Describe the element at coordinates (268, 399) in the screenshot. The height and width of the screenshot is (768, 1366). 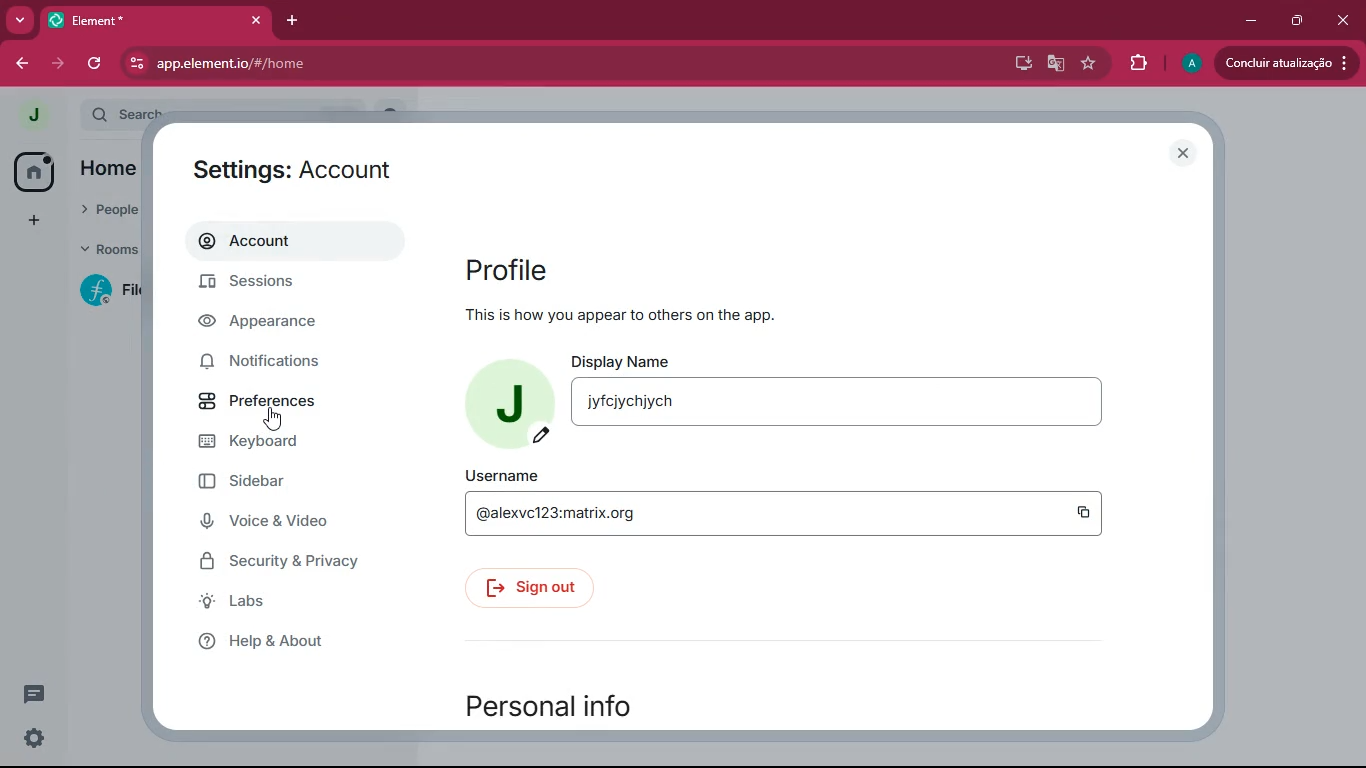
I see `preferences` at that location.